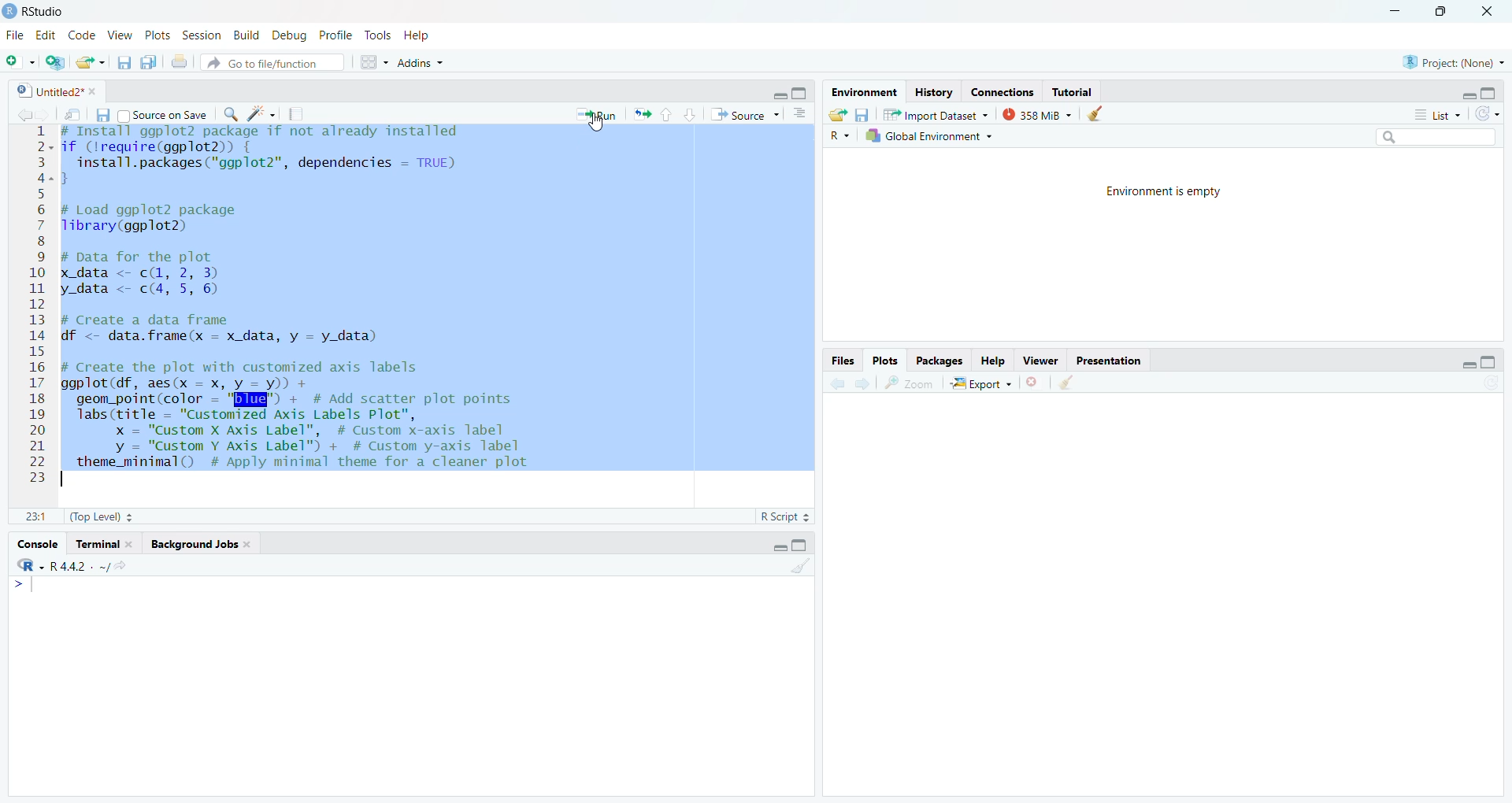  Describe the element at coordinates (424, 64) in the screenshot. I see `Addins ~` at that location.